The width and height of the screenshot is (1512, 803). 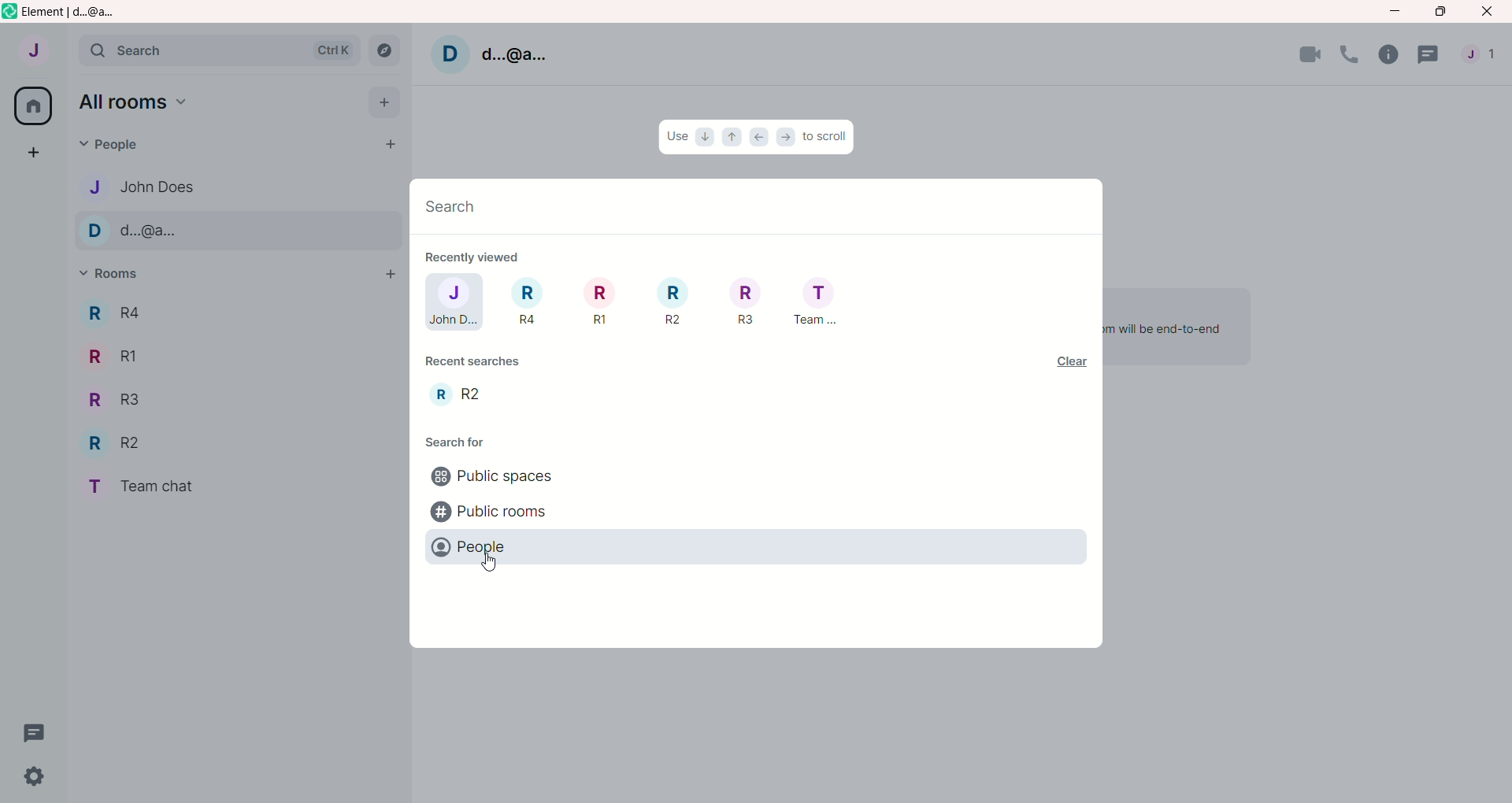 I want to click on add, so click(x=385, y=102).